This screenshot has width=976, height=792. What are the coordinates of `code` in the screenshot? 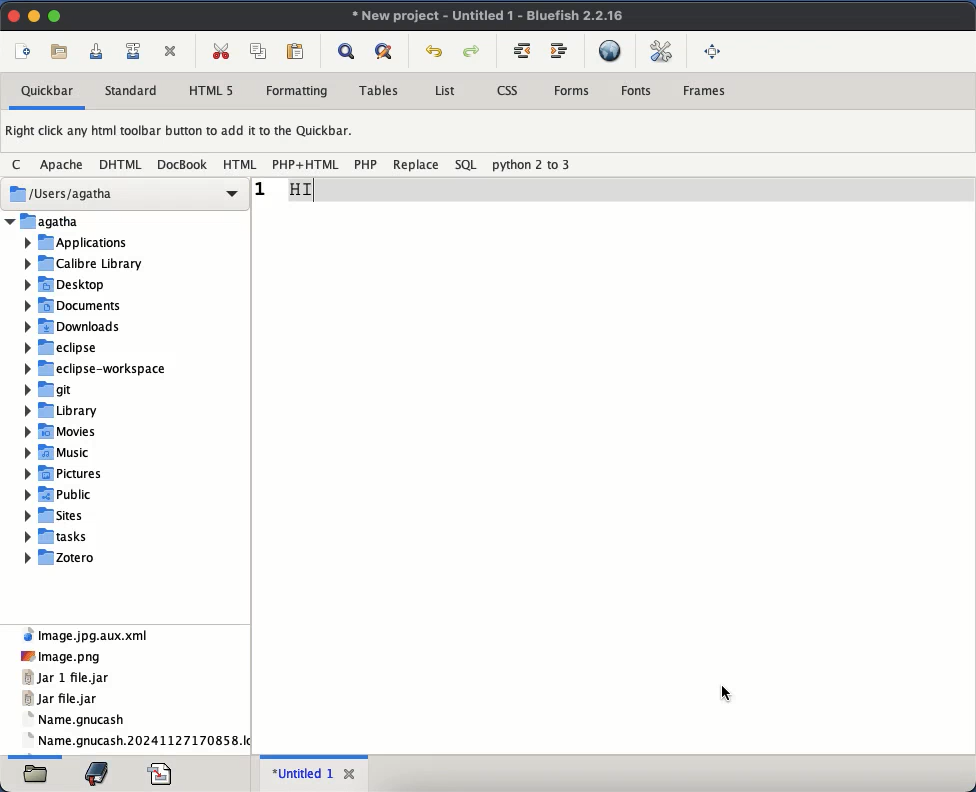 It's located at (160, 771).